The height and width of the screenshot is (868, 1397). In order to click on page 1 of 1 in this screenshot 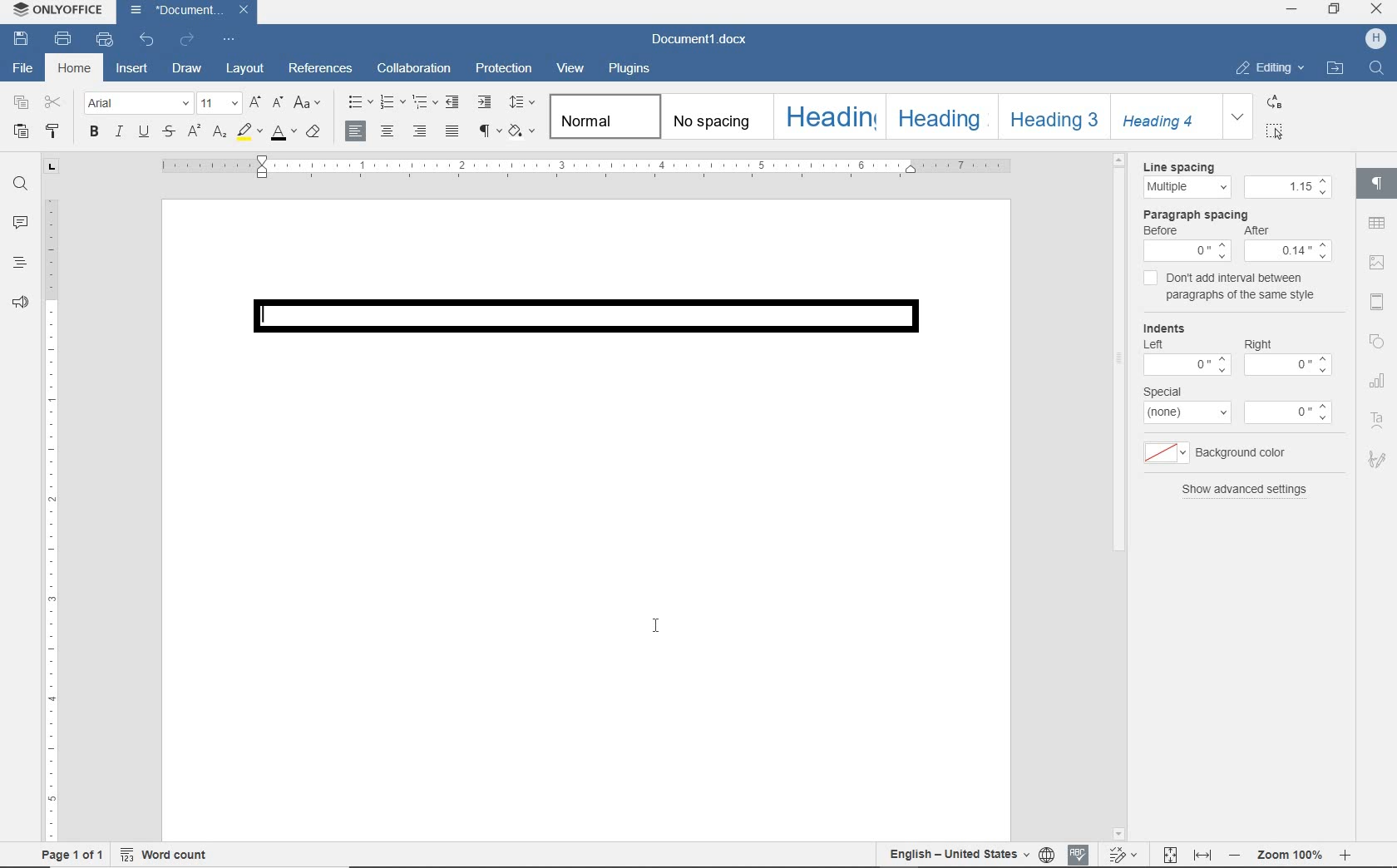, I will do `click(71, 857)`.